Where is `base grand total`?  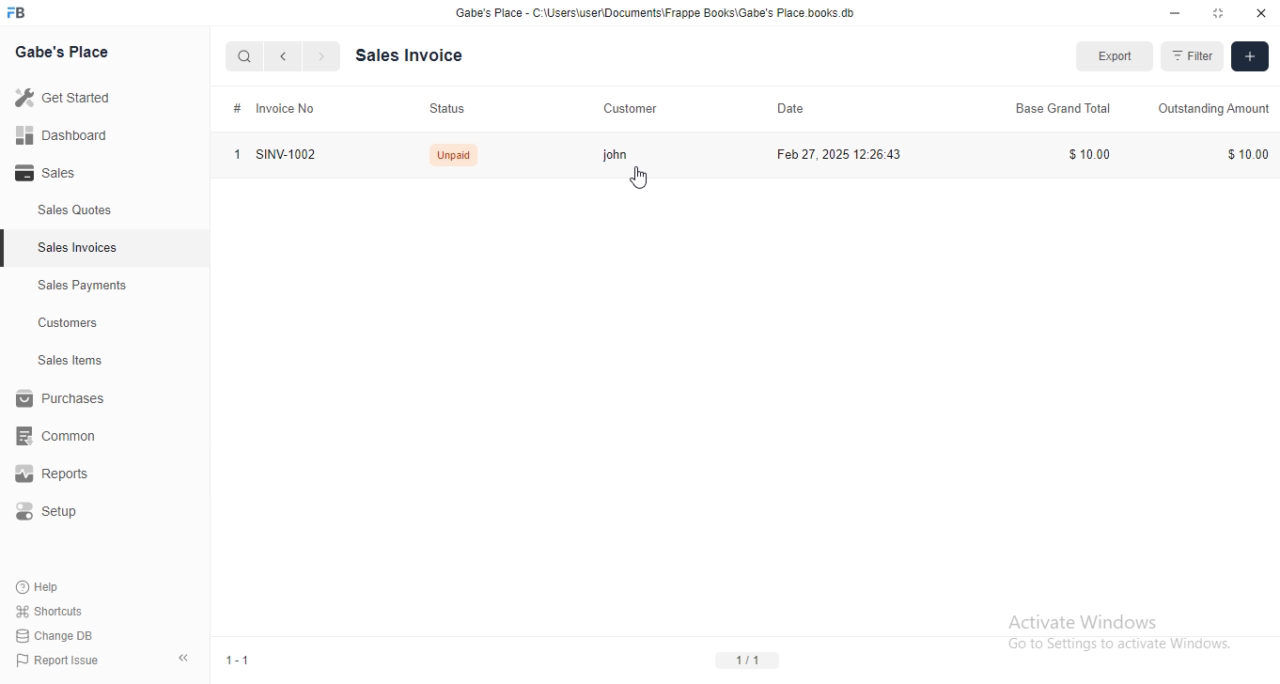
base grand total is located at coordinates (1063, 108).